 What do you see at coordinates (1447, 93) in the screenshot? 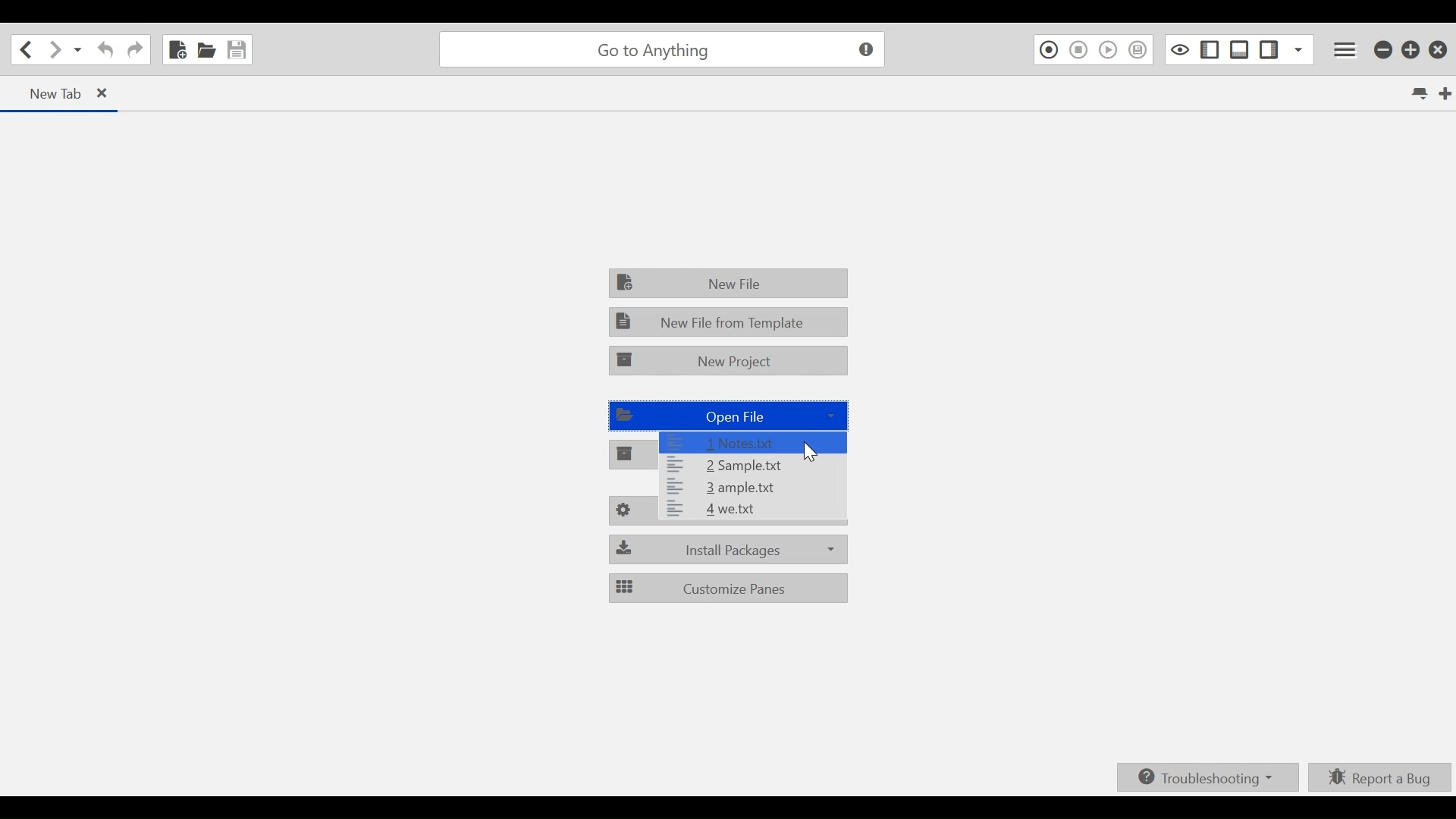
I see `Add new Tab` at bounding box center [1447, 93].